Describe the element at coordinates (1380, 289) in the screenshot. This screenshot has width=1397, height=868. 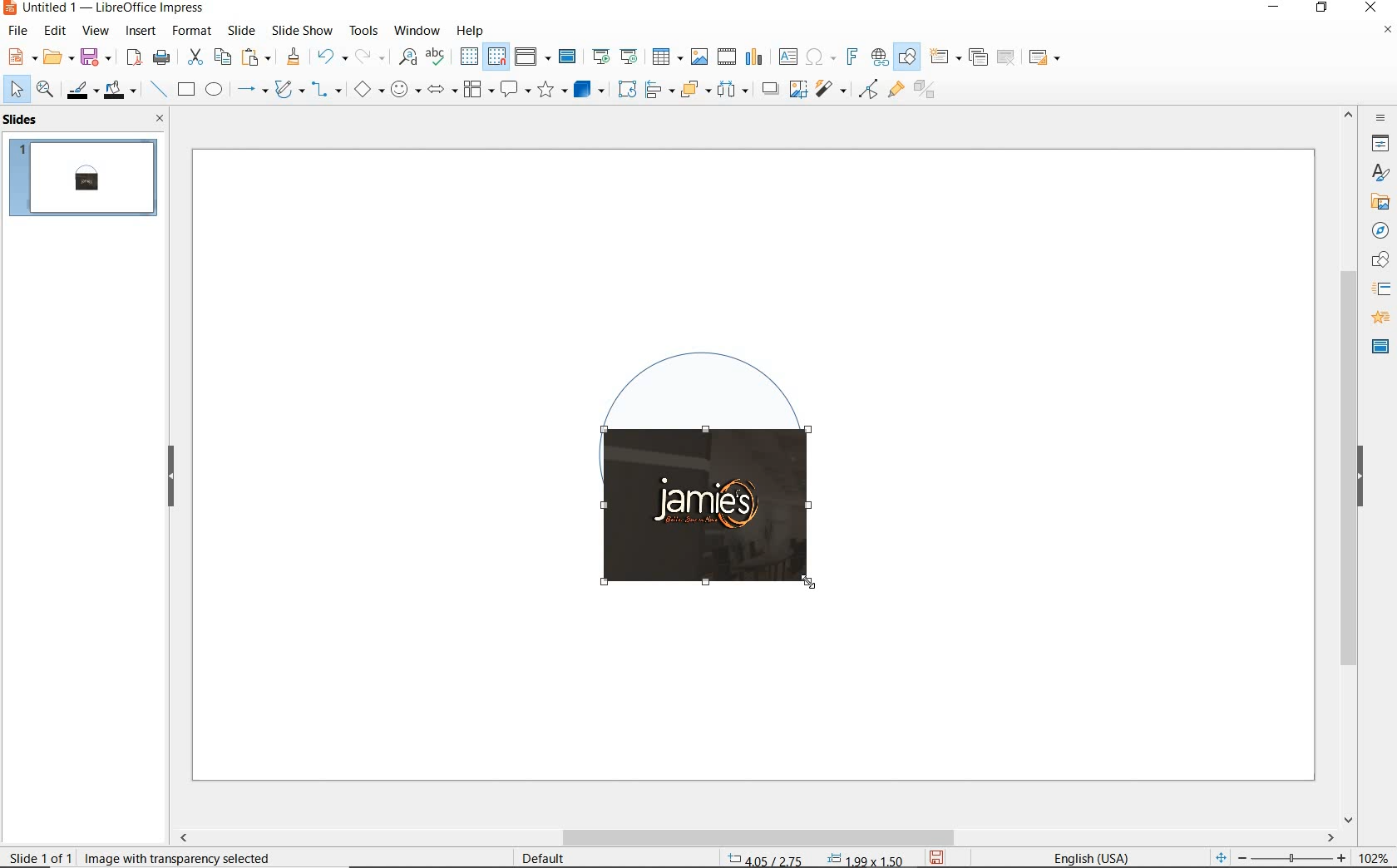
I see `slide transition` at that location.